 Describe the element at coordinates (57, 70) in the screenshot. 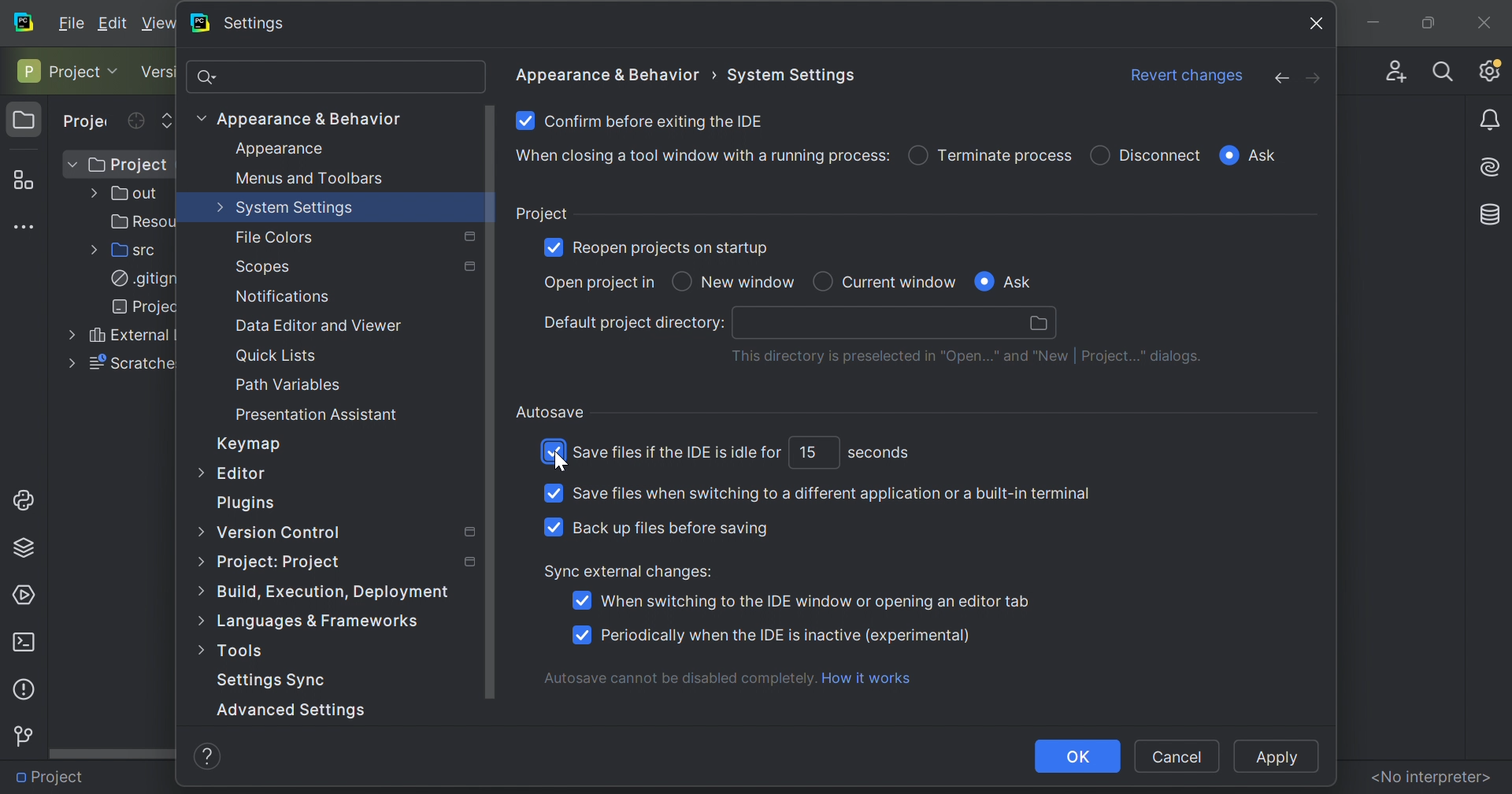

I see `Project` at that location.